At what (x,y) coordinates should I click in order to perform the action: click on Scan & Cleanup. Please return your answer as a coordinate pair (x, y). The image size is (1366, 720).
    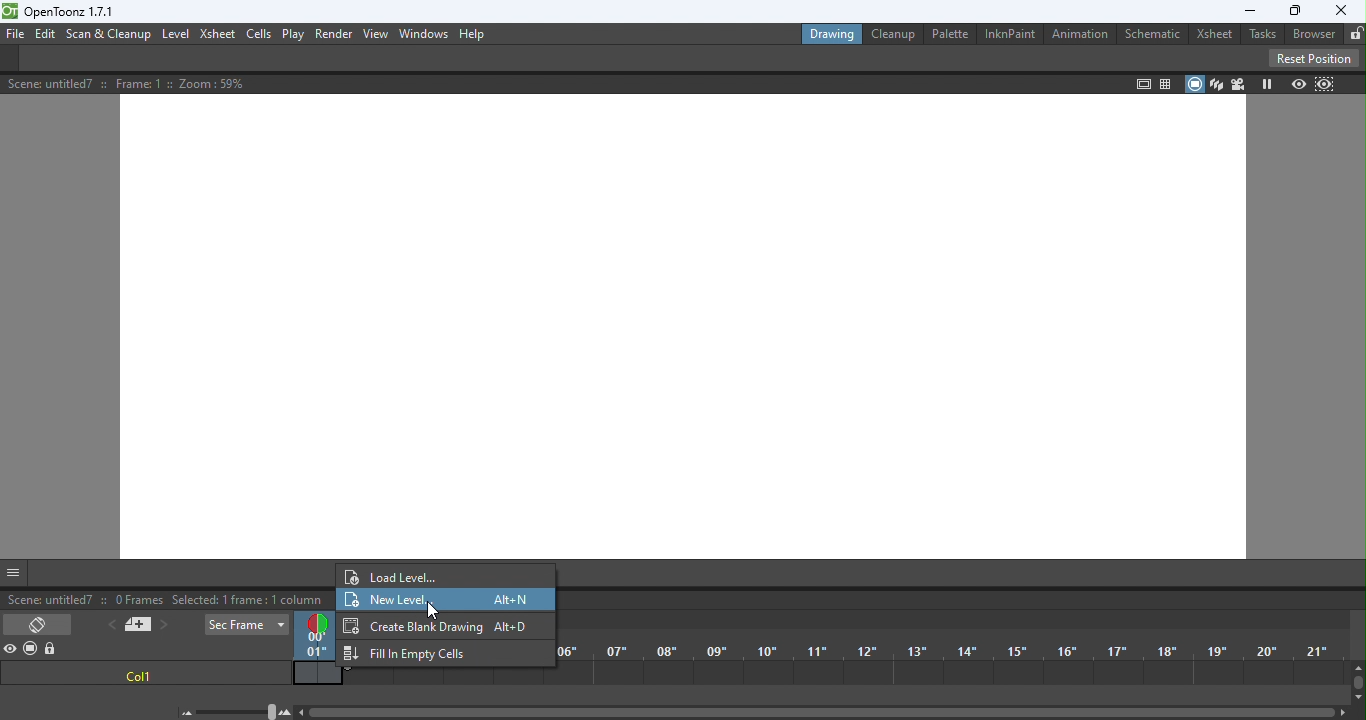
    Looking at the image, I should click on (110, 35).